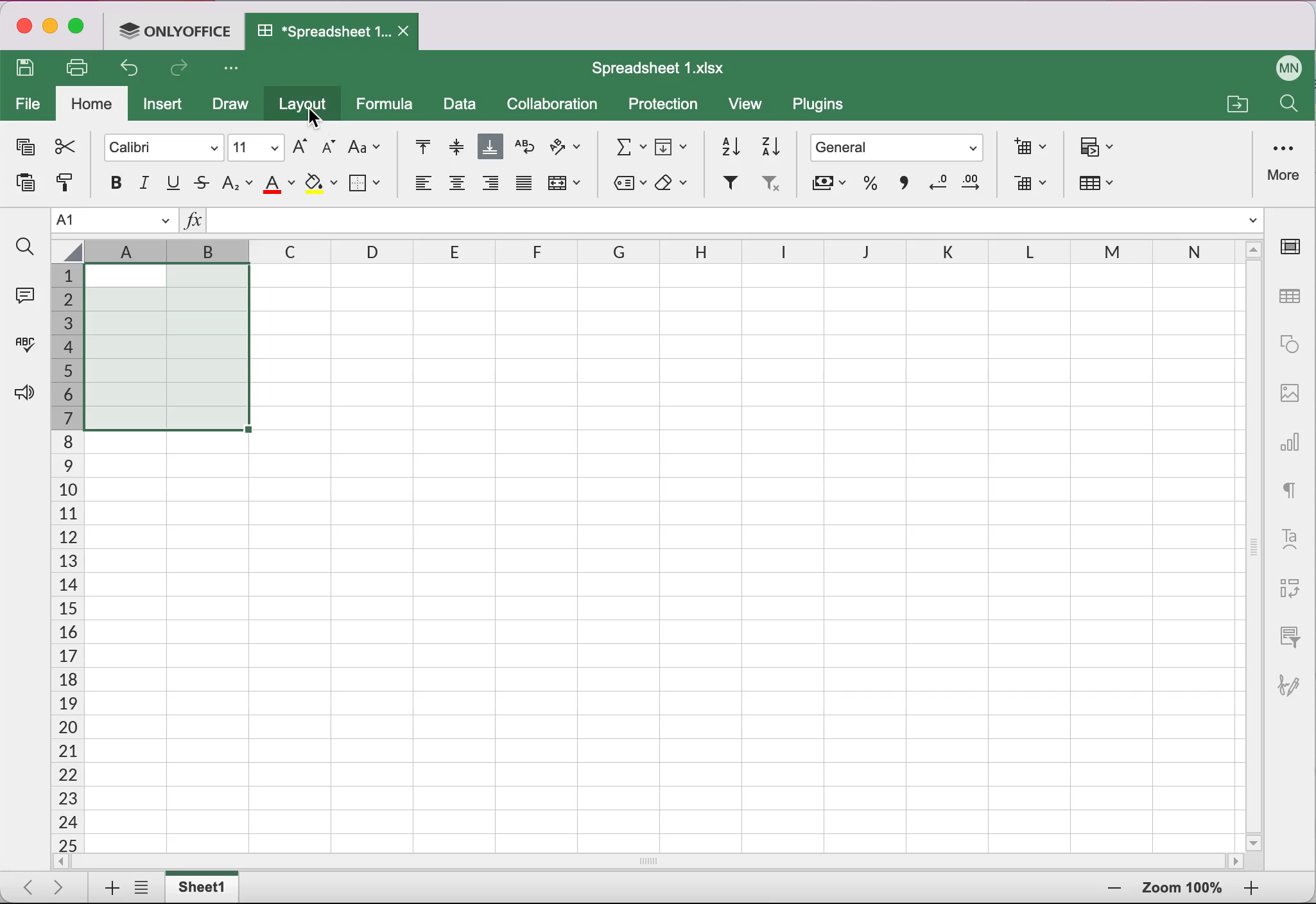  I want to click on draw, so click(229, 106).